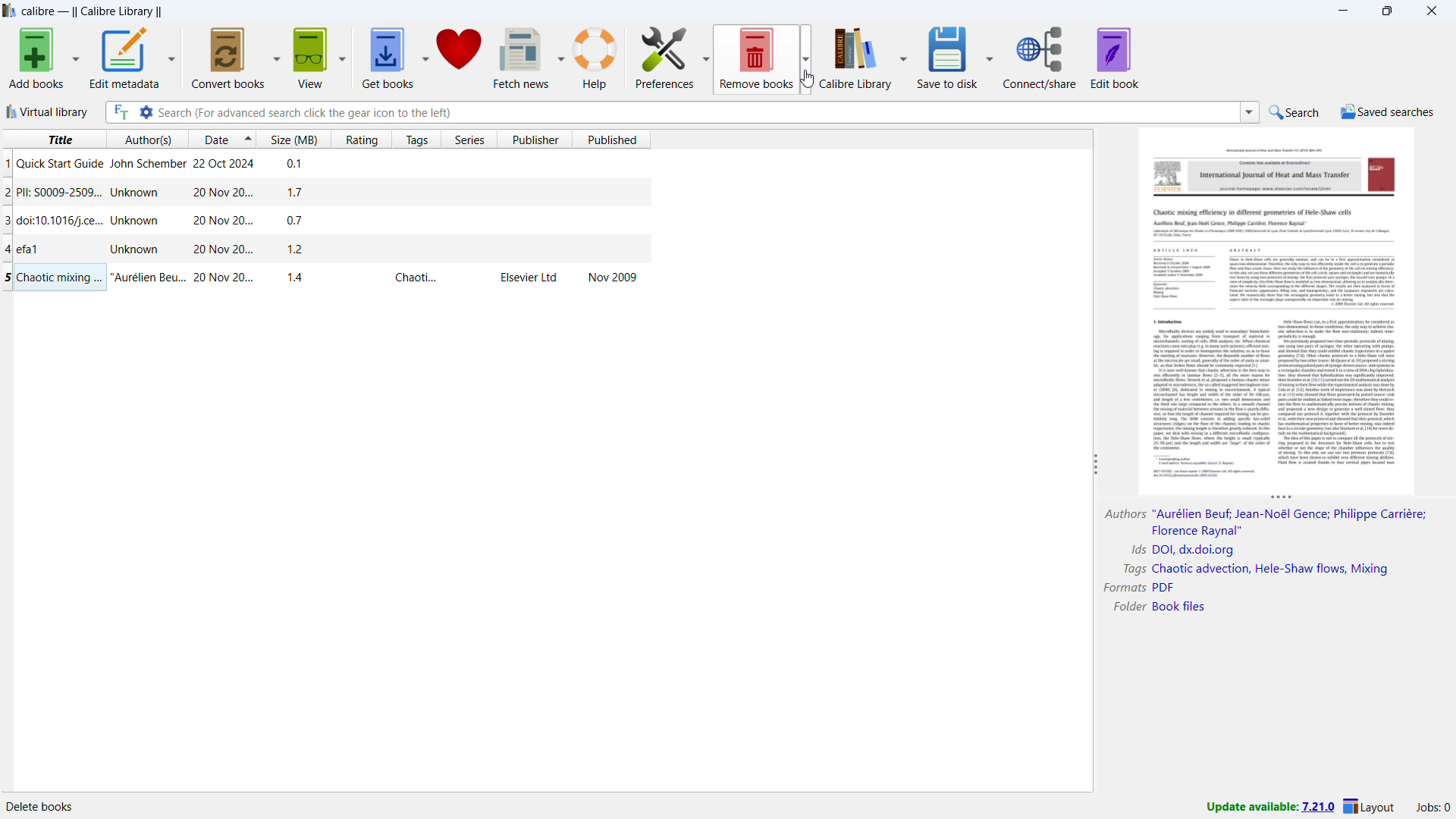 The height and width of the screenshot is (819, 1456). What do you see at coordinates (1094, 465) in the screenshot?
I see `resize` at bounding box center [1094, 465].